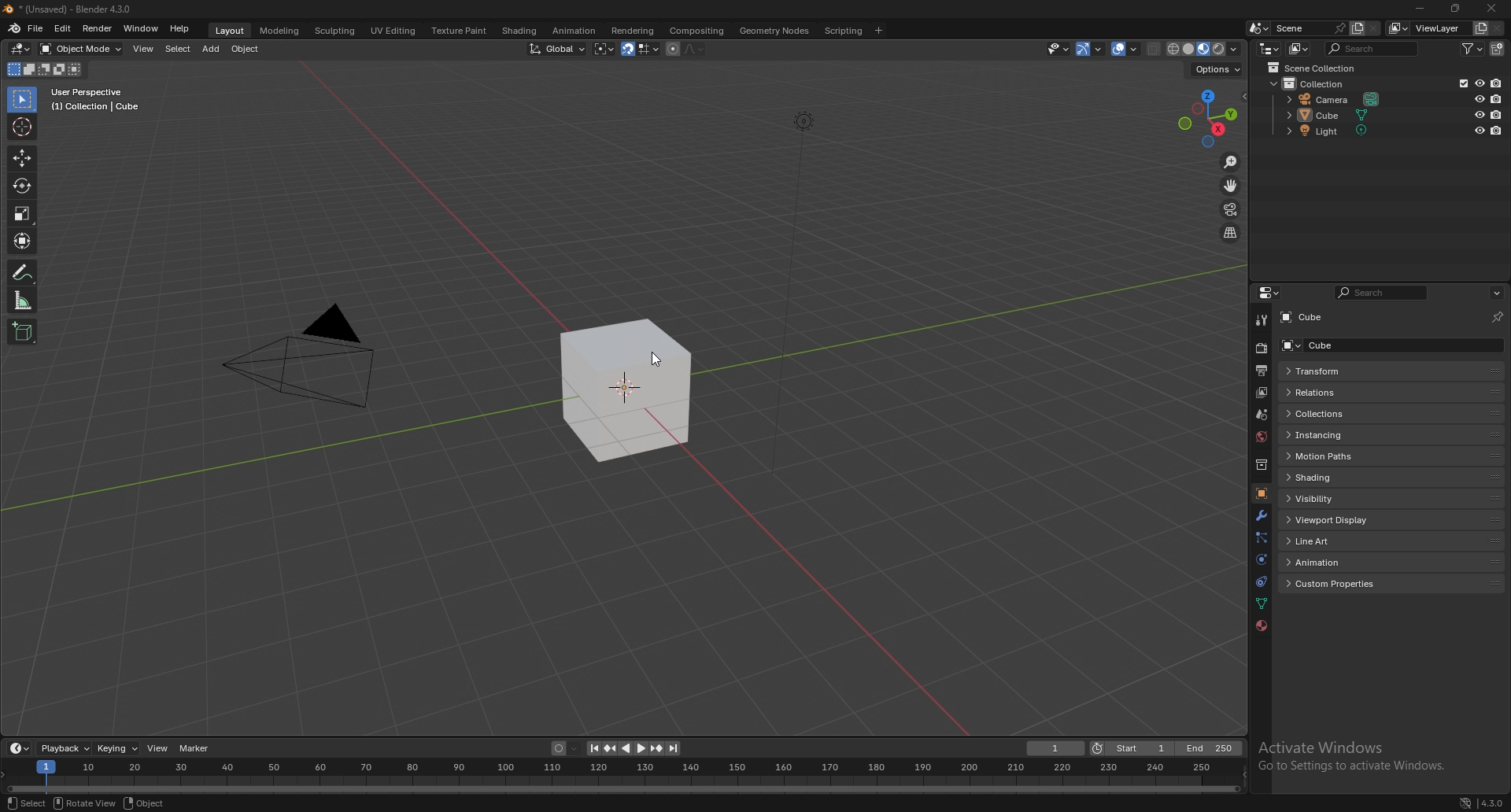  Describe the element at coordinates (1262, 626) in the screenshot. I see `material` at that location.